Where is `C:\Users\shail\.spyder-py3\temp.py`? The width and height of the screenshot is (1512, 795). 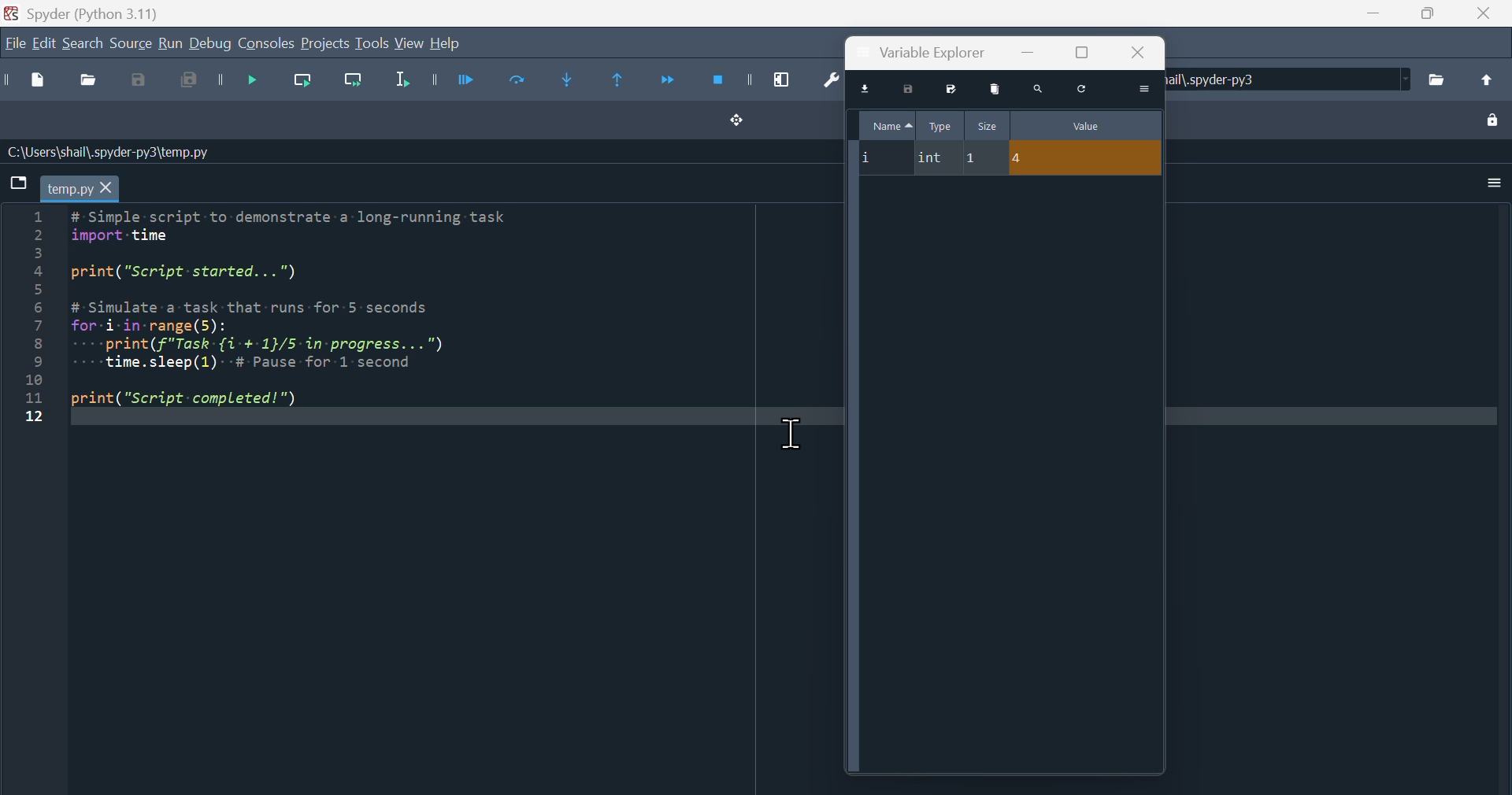 C:\Users\shail\.spyder-py3\temp.py is located at coordinates (110, 152).